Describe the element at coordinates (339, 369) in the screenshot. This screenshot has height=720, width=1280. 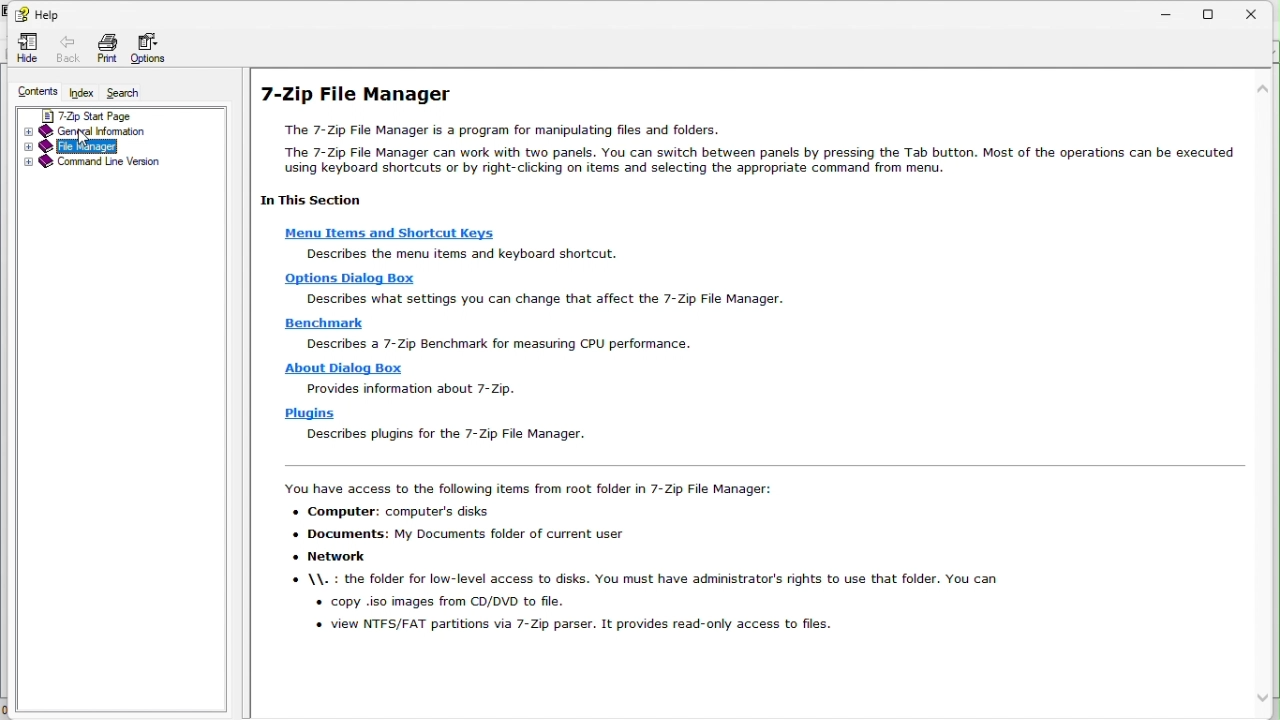
I see `about dialog box` at that location.